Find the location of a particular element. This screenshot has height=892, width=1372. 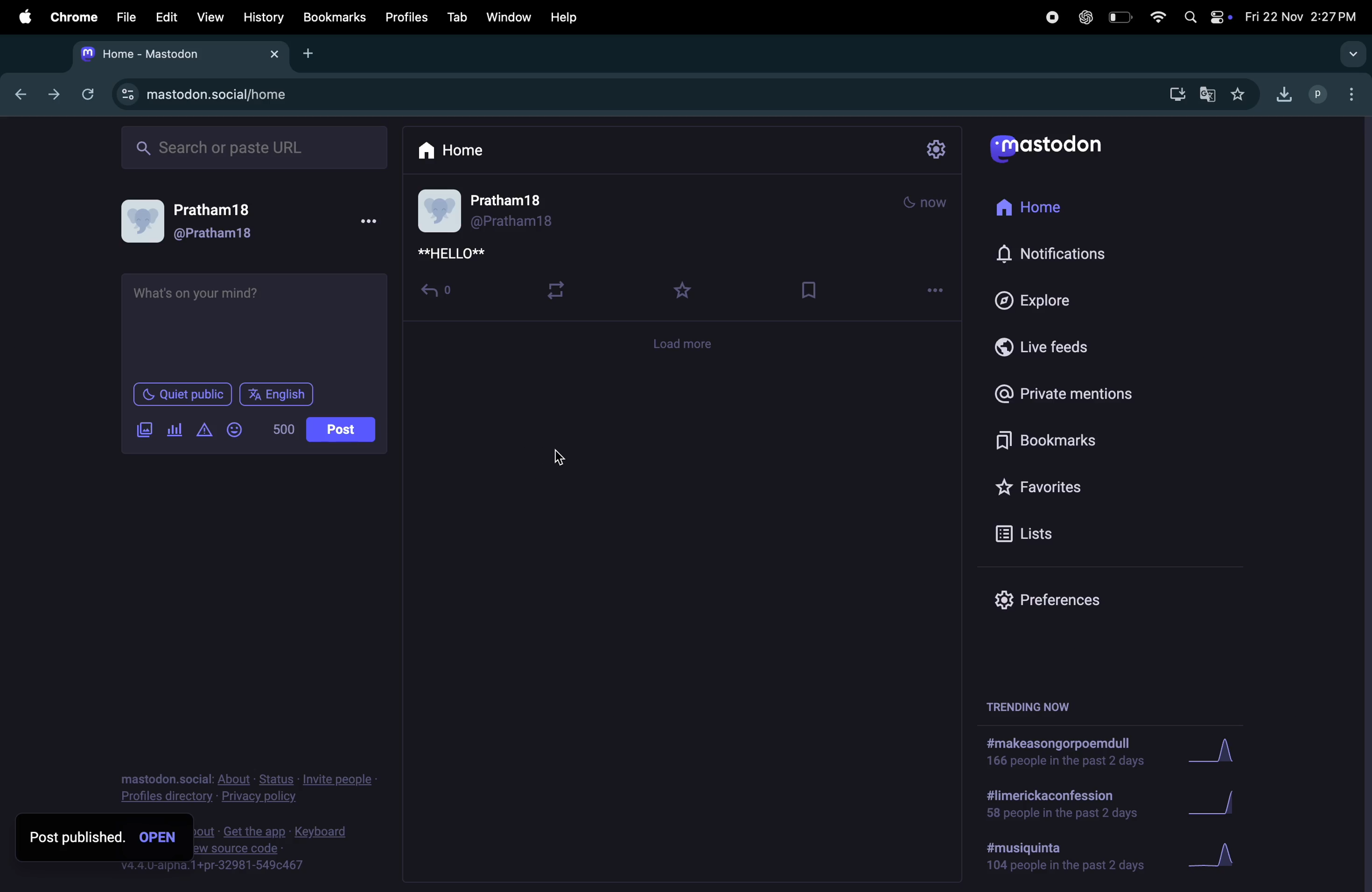

user is located at coordinates (517, 209).